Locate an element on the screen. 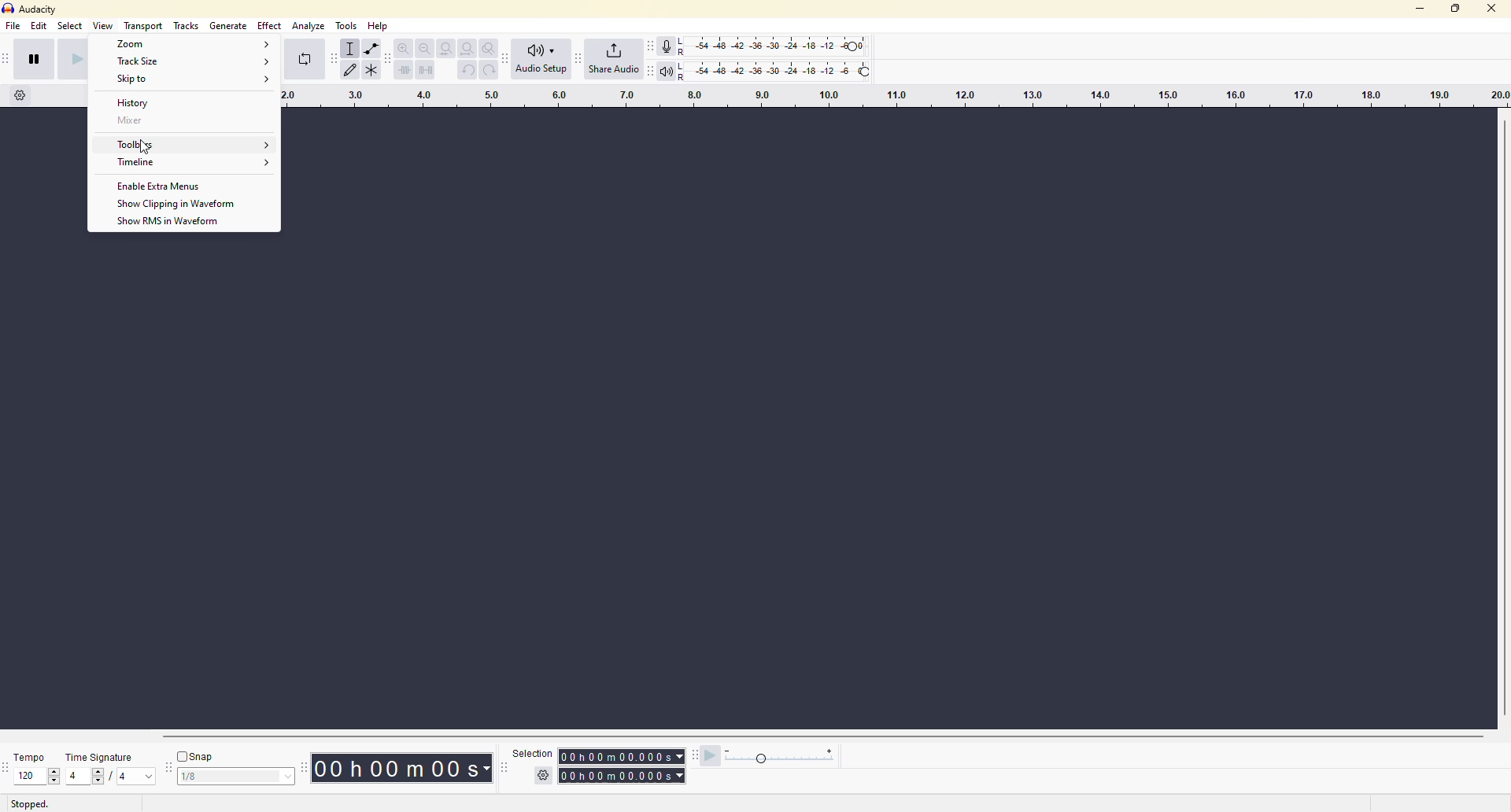 This screenshot has width=1511, height=812. tempo is located at coordinates (28, 758).